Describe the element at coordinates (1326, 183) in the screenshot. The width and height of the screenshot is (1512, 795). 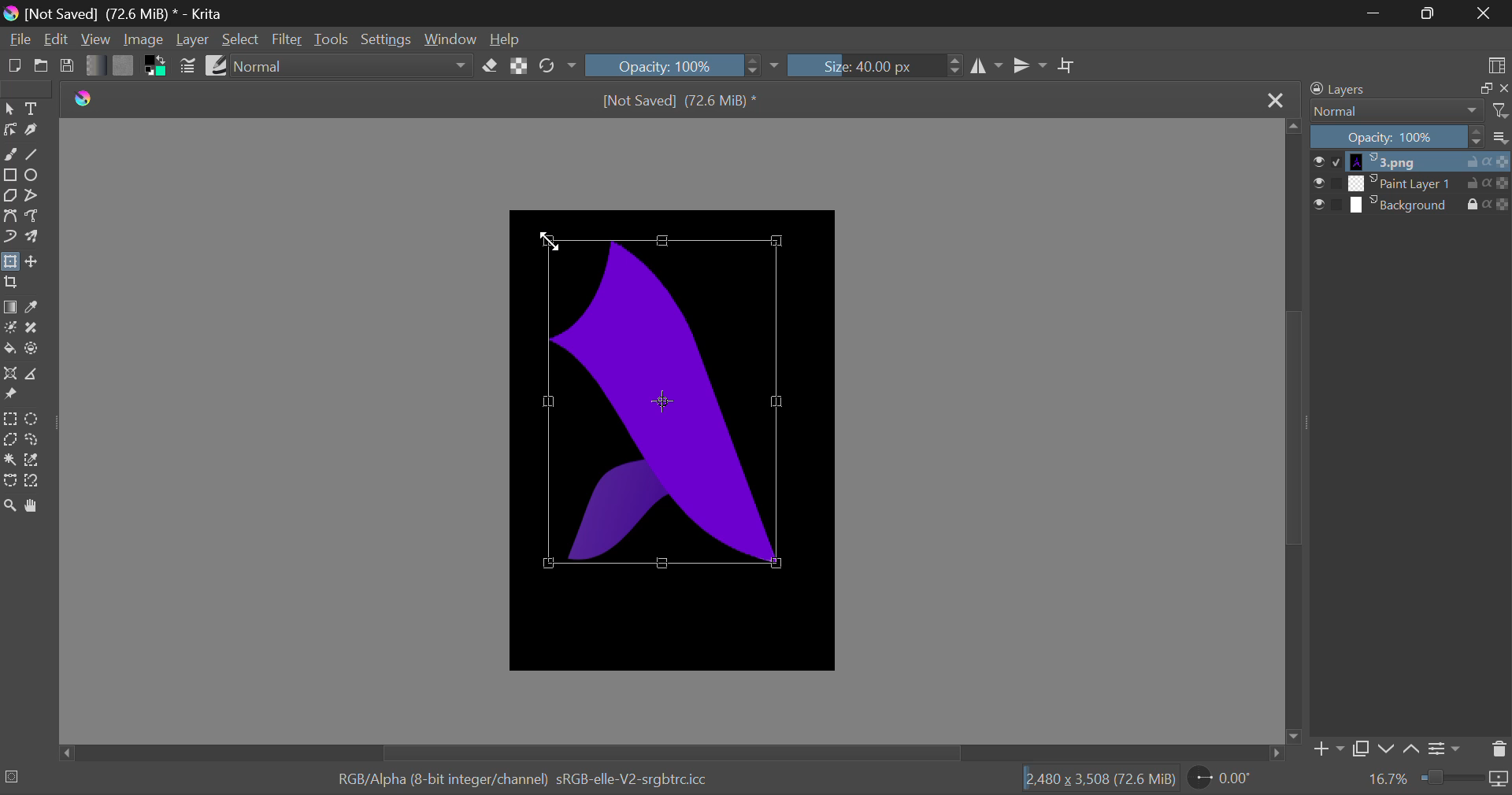
I see `checkbox` at that location.